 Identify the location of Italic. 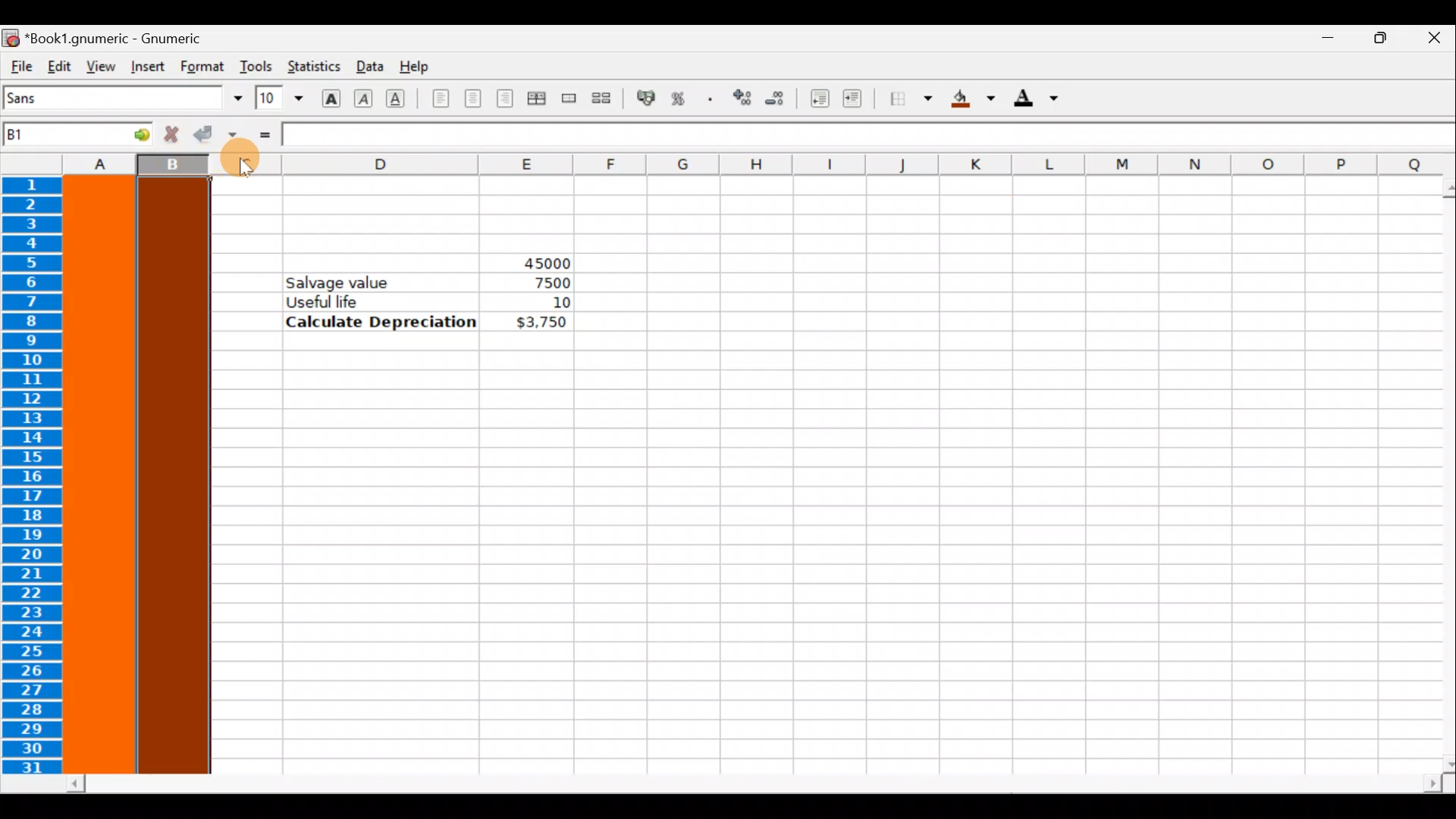
(366, 96).